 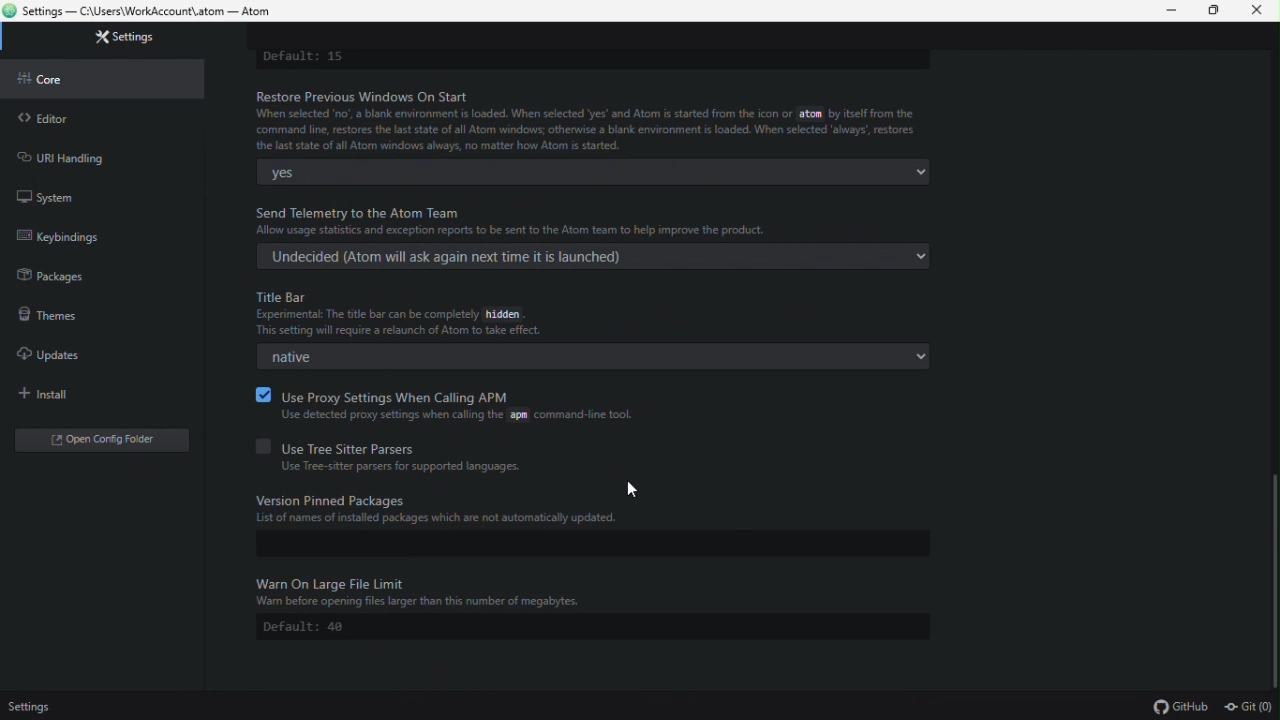 I want to click on close, so click(x=1262, y=11).